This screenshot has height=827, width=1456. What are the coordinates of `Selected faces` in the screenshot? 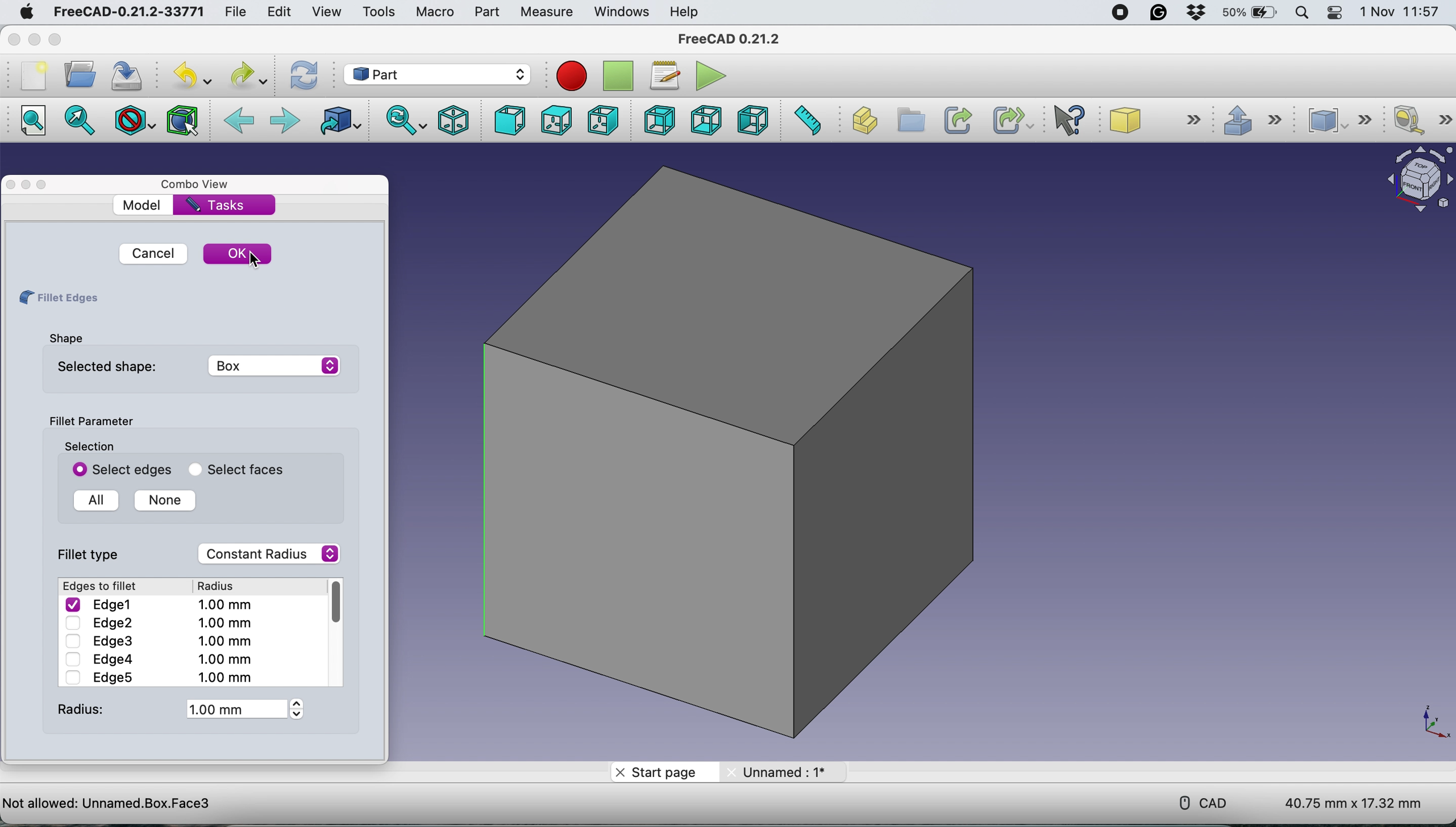 It's located at (232, 470).